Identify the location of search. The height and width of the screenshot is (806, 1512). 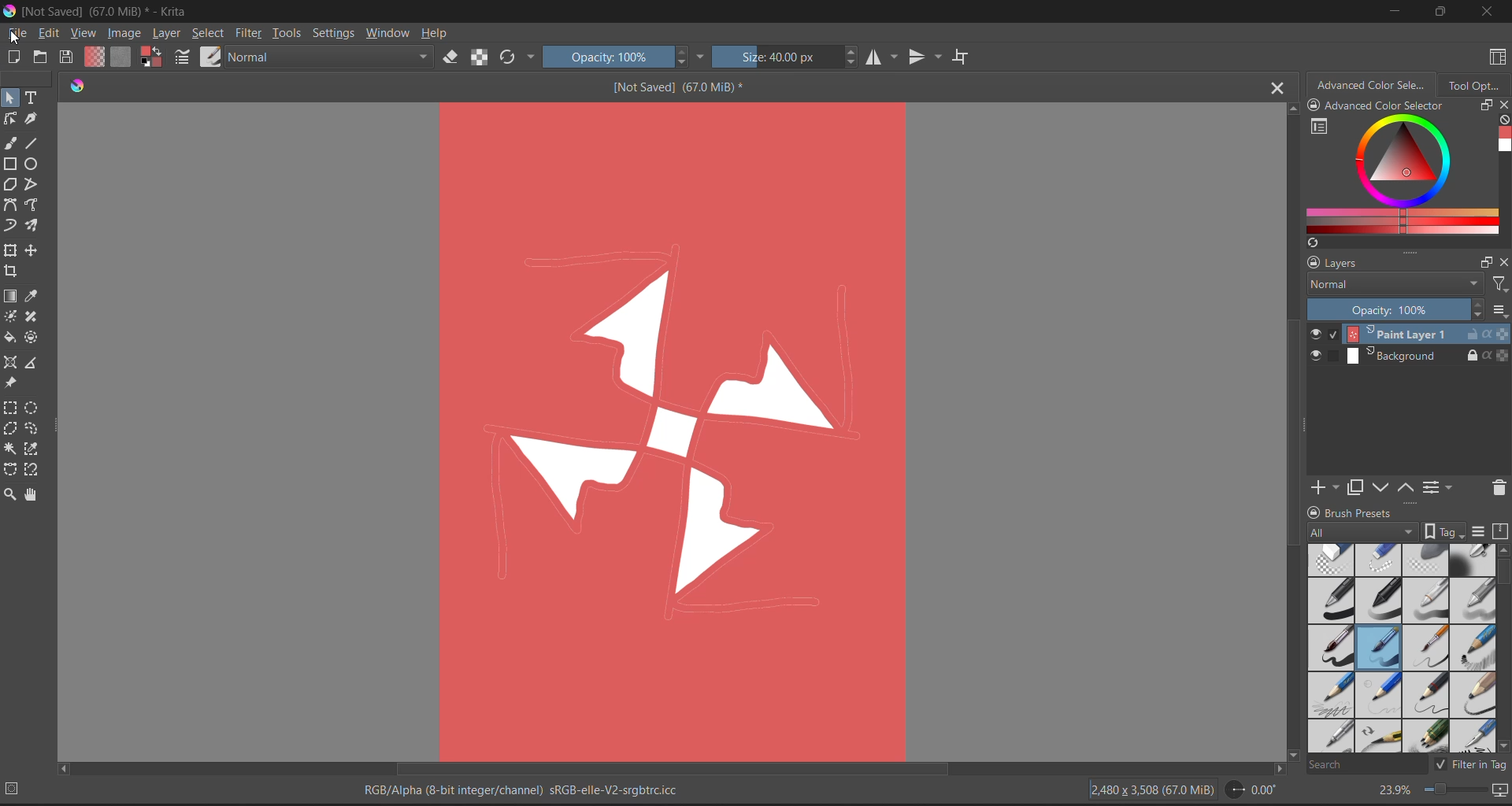
(1368, 765).